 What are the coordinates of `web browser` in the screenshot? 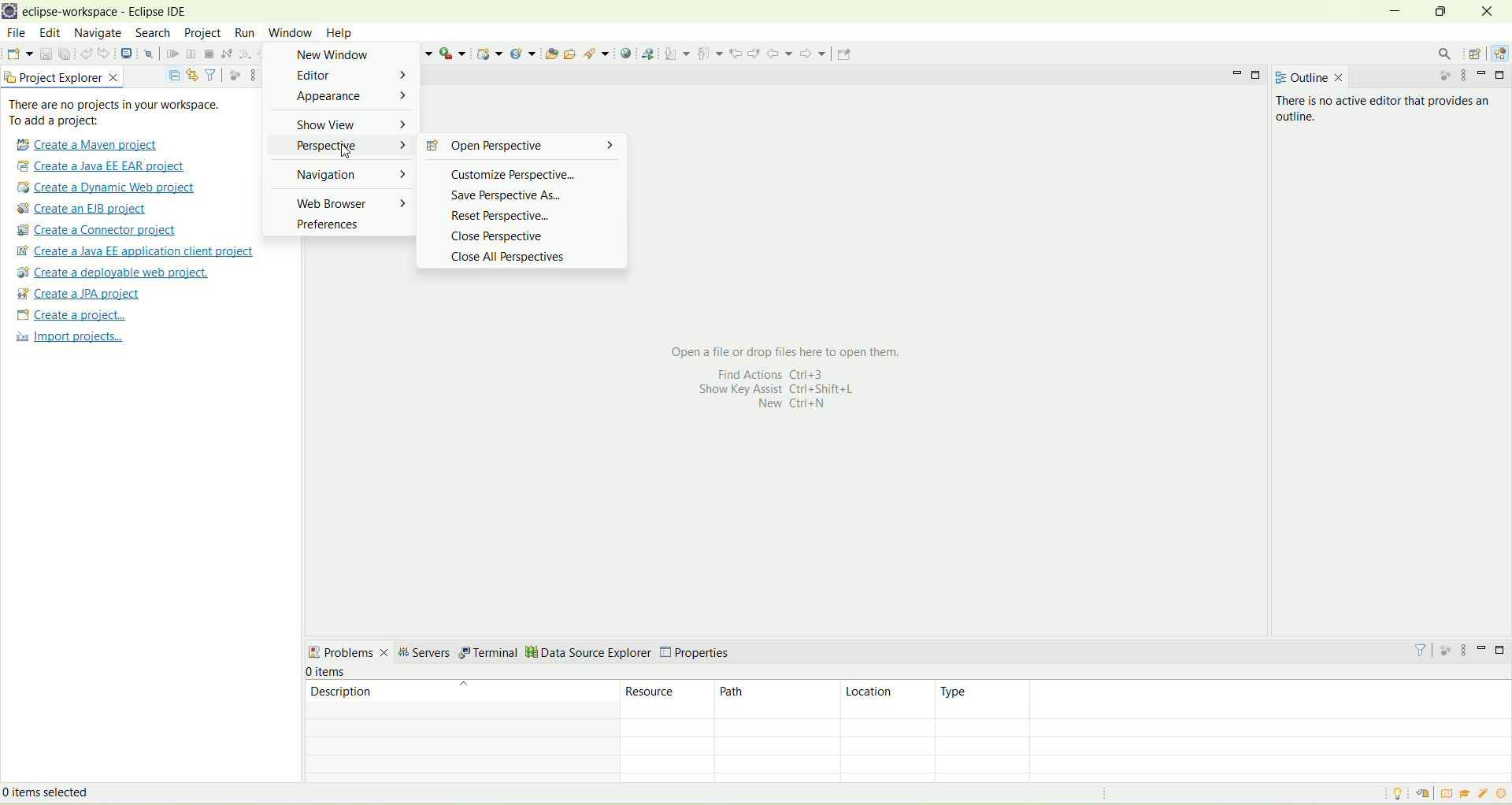 It's located at (347, 202).